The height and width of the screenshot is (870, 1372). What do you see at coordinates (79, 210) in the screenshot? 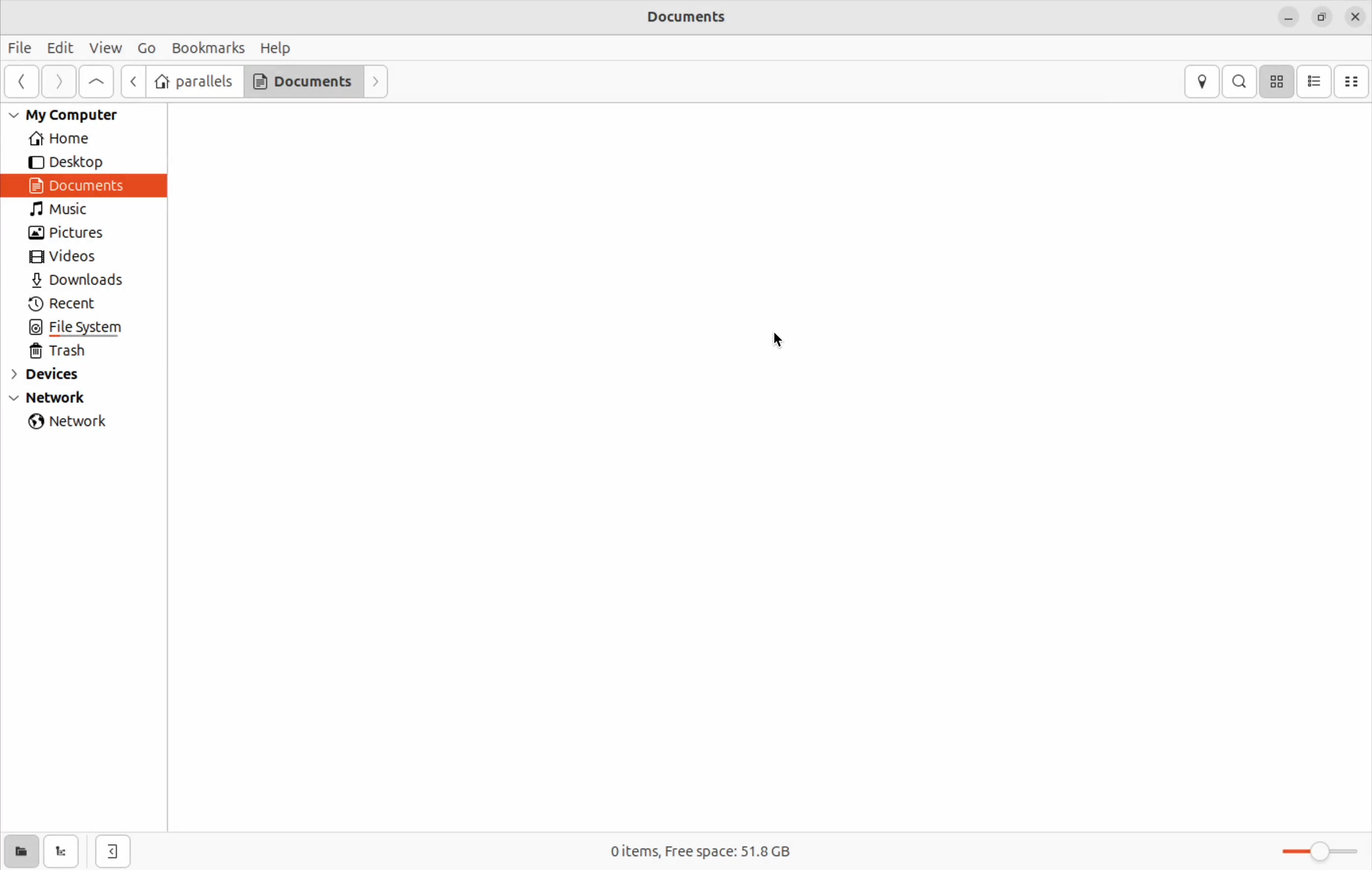
I see `Music` at bounding box center [79, 210].